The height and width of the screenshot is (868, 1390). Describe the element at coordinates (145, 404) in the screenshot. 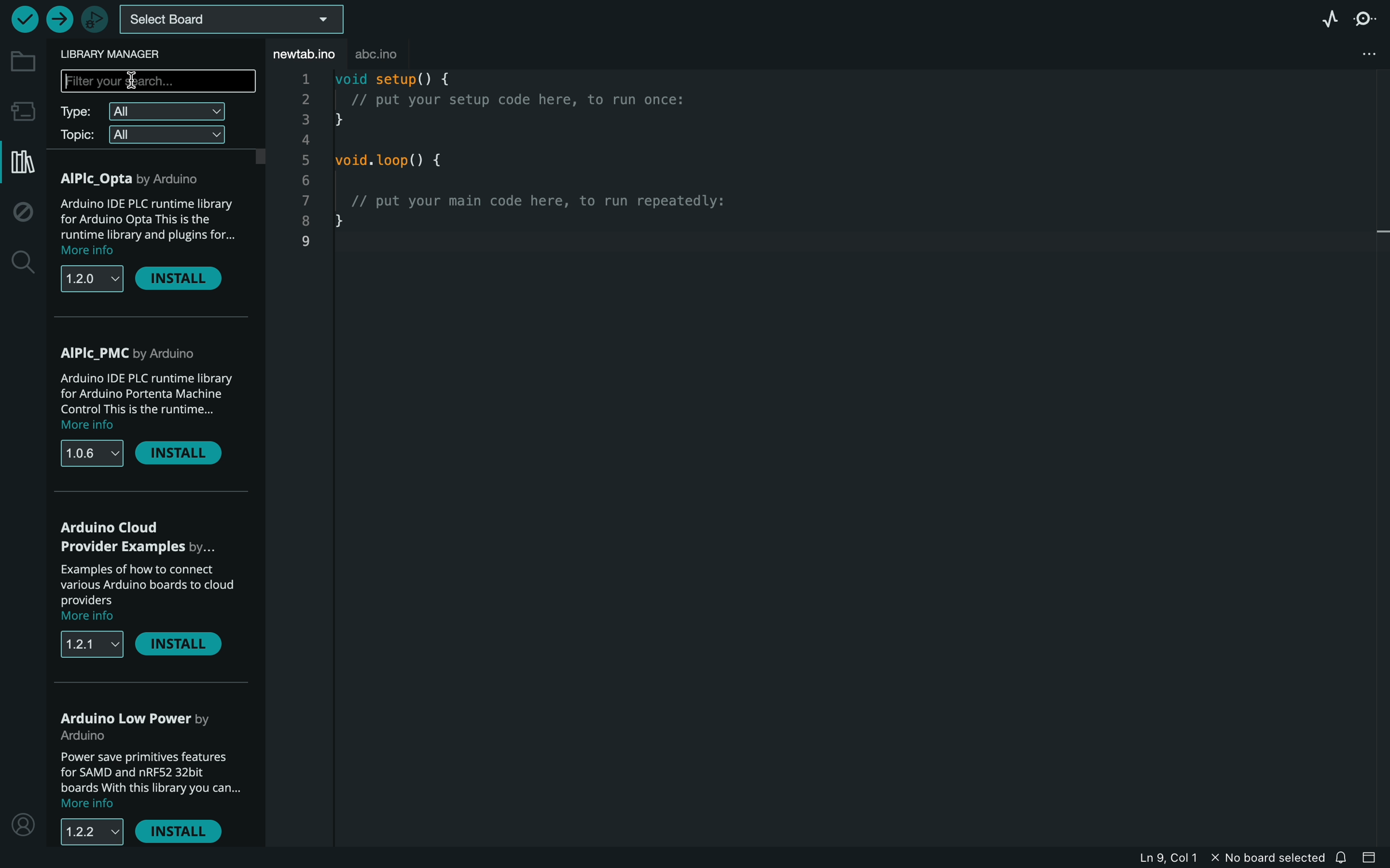

I see `description` at that location.